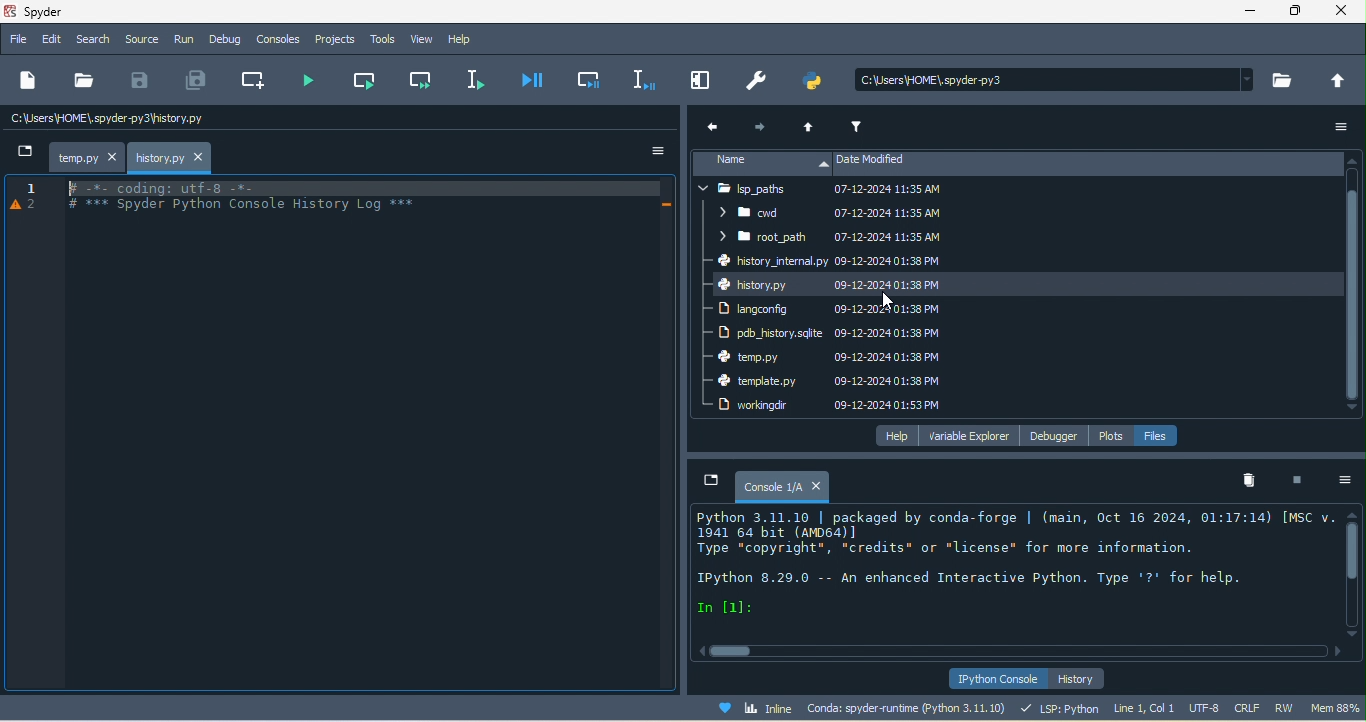 This screenshot has height=722, width=1366. I want to click on vertical scroll bar, so click(1350, 280).